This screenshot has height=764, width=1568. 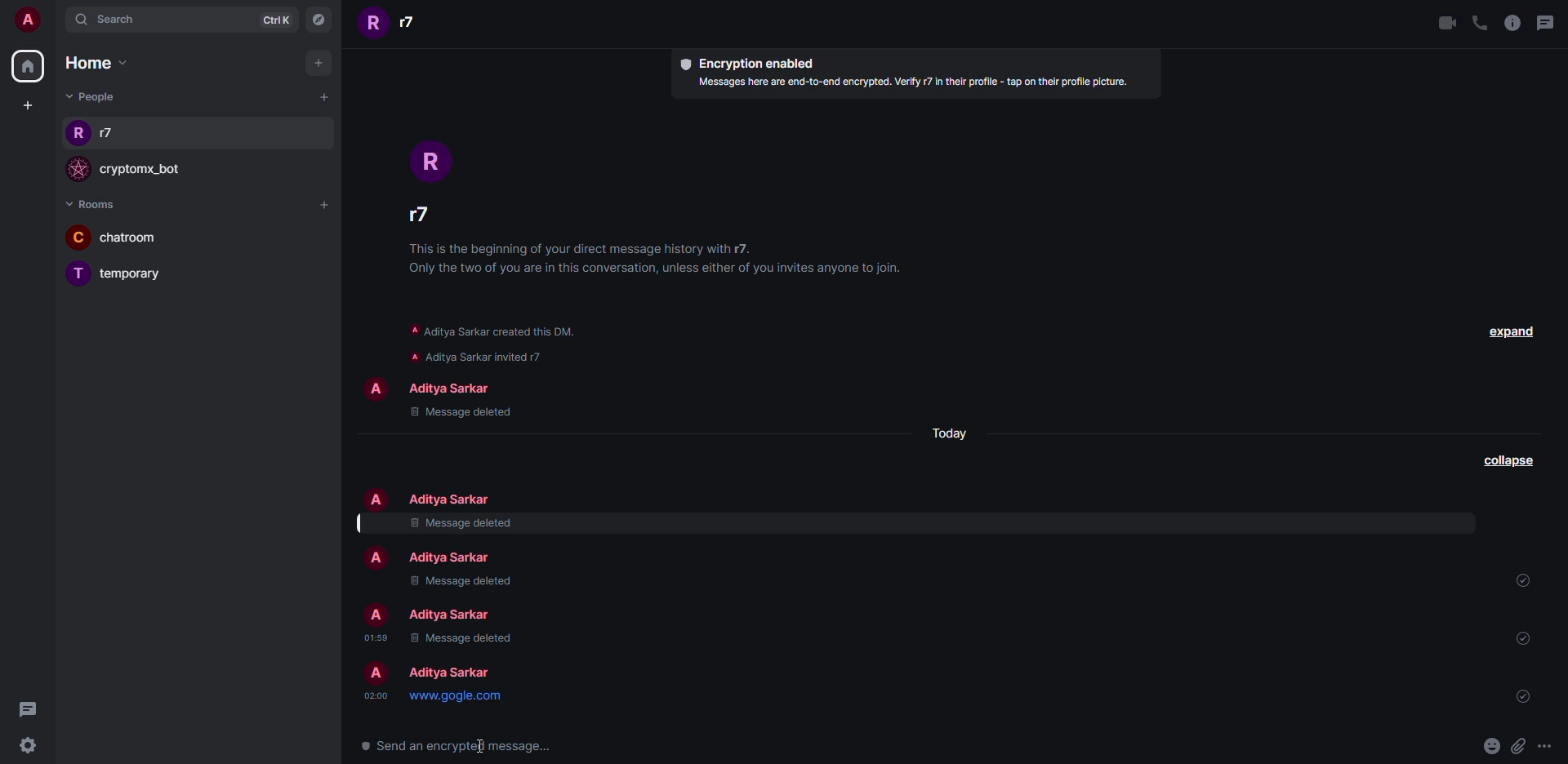 I want to click on bot, so click(x=149, y=171).